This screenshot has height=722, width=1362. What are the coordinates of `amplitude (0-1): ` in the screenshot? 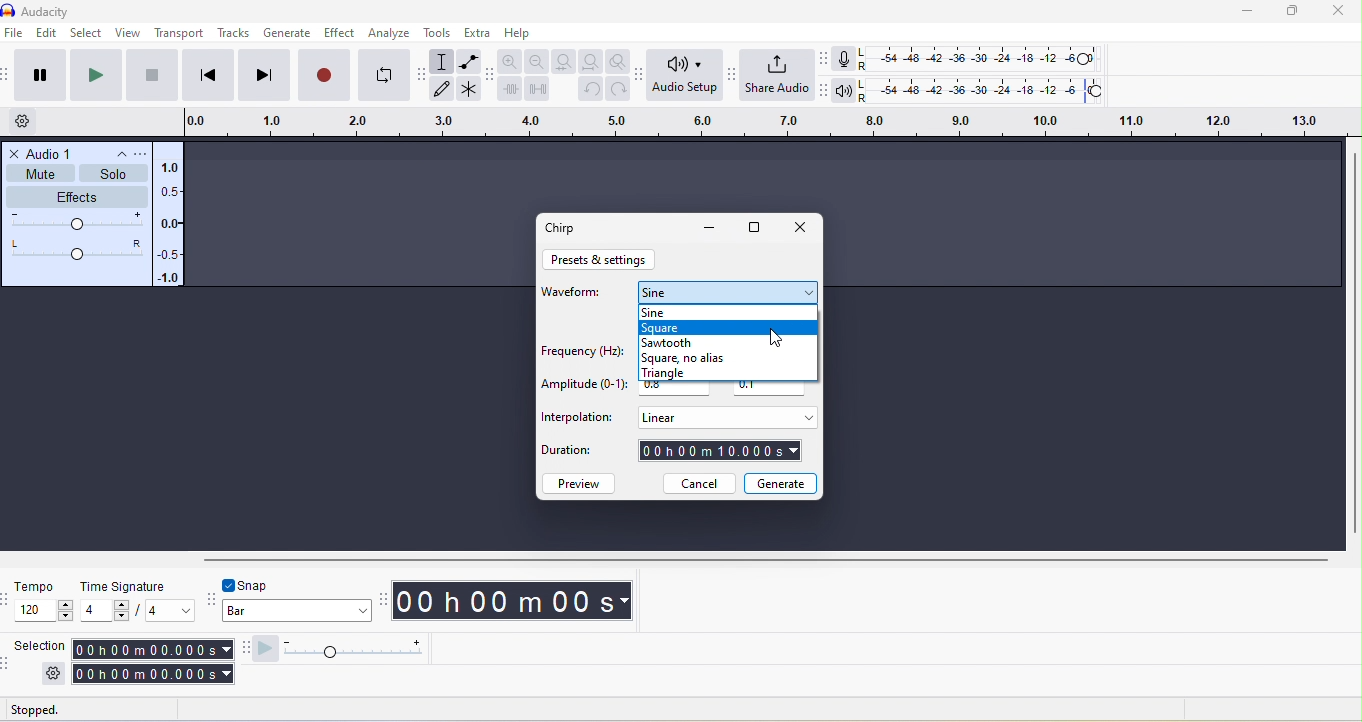 It's located at (584, 386).